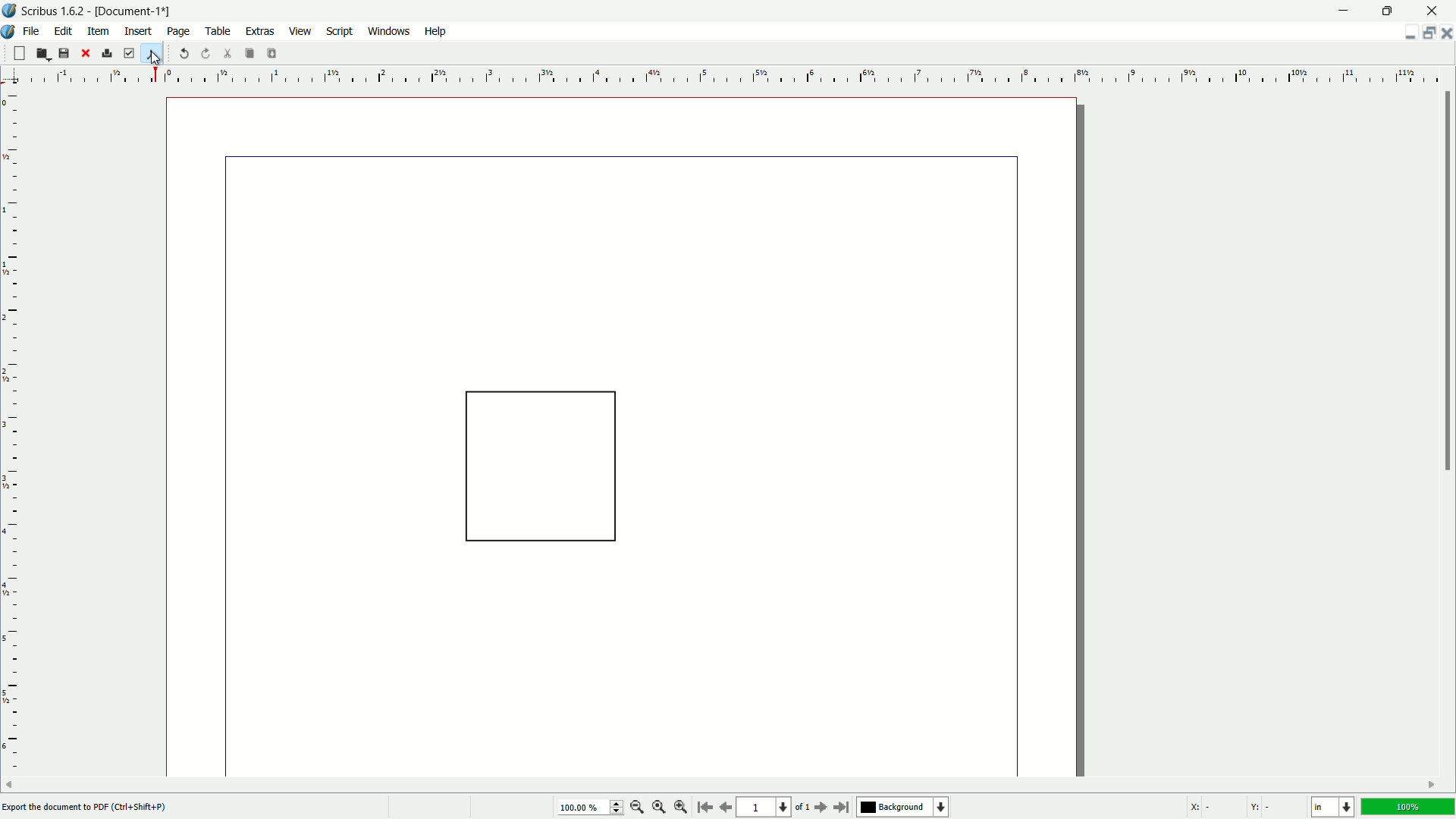 The height and width of the screenshot is (819, 1456). What do you see at coordinates (1447, 33) in the screenshot?
I see `close document` at bounding box center [1447, 33].